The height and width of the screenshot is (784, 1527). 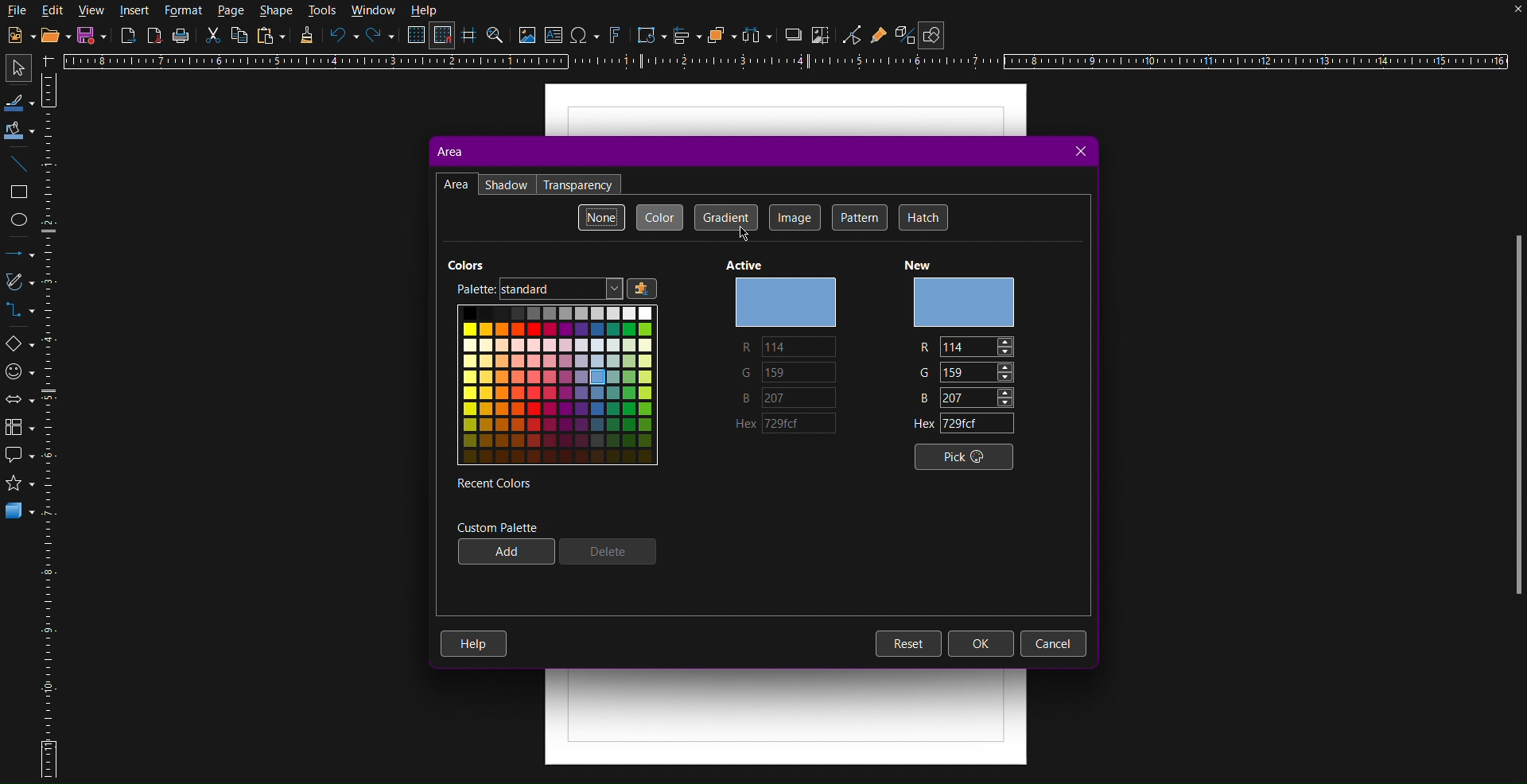 I want to click on Stars and Banners, so click(x=19, y=487).